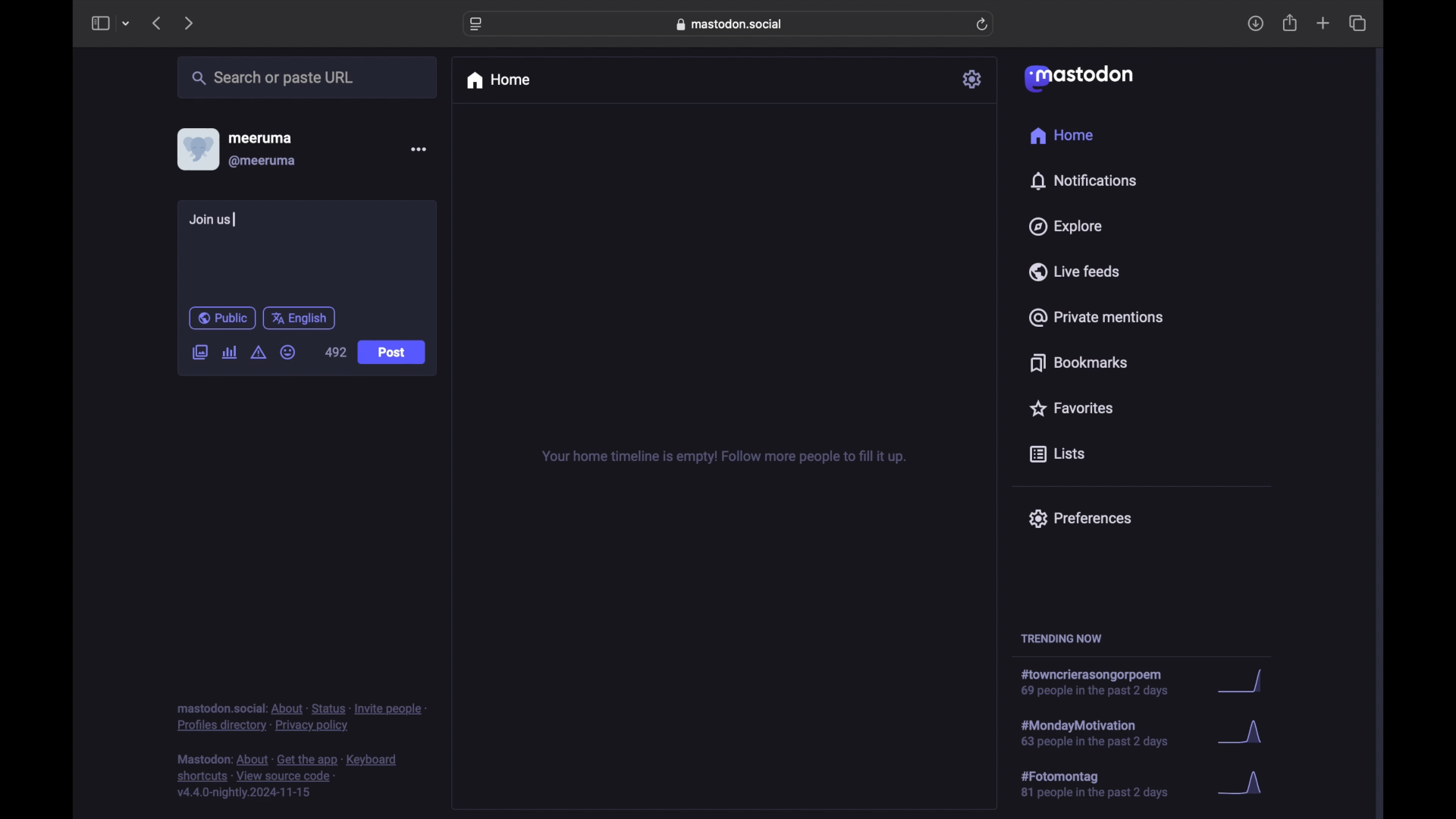  Describe the element at coordinates (1061, 136) in the screenshot. I see `home` at that location.